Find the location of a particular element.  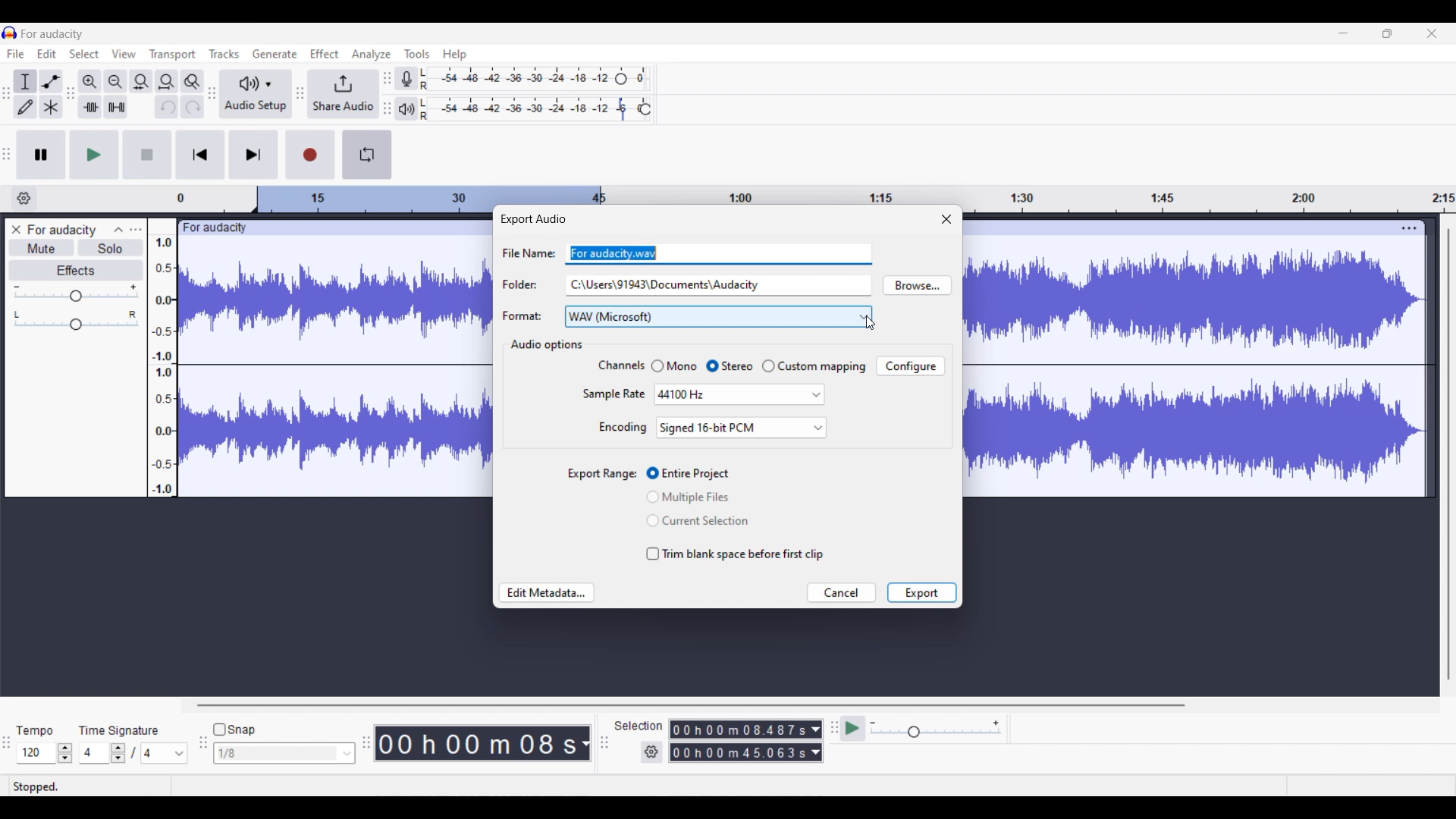

Window title is located at coordinates (532, 219).